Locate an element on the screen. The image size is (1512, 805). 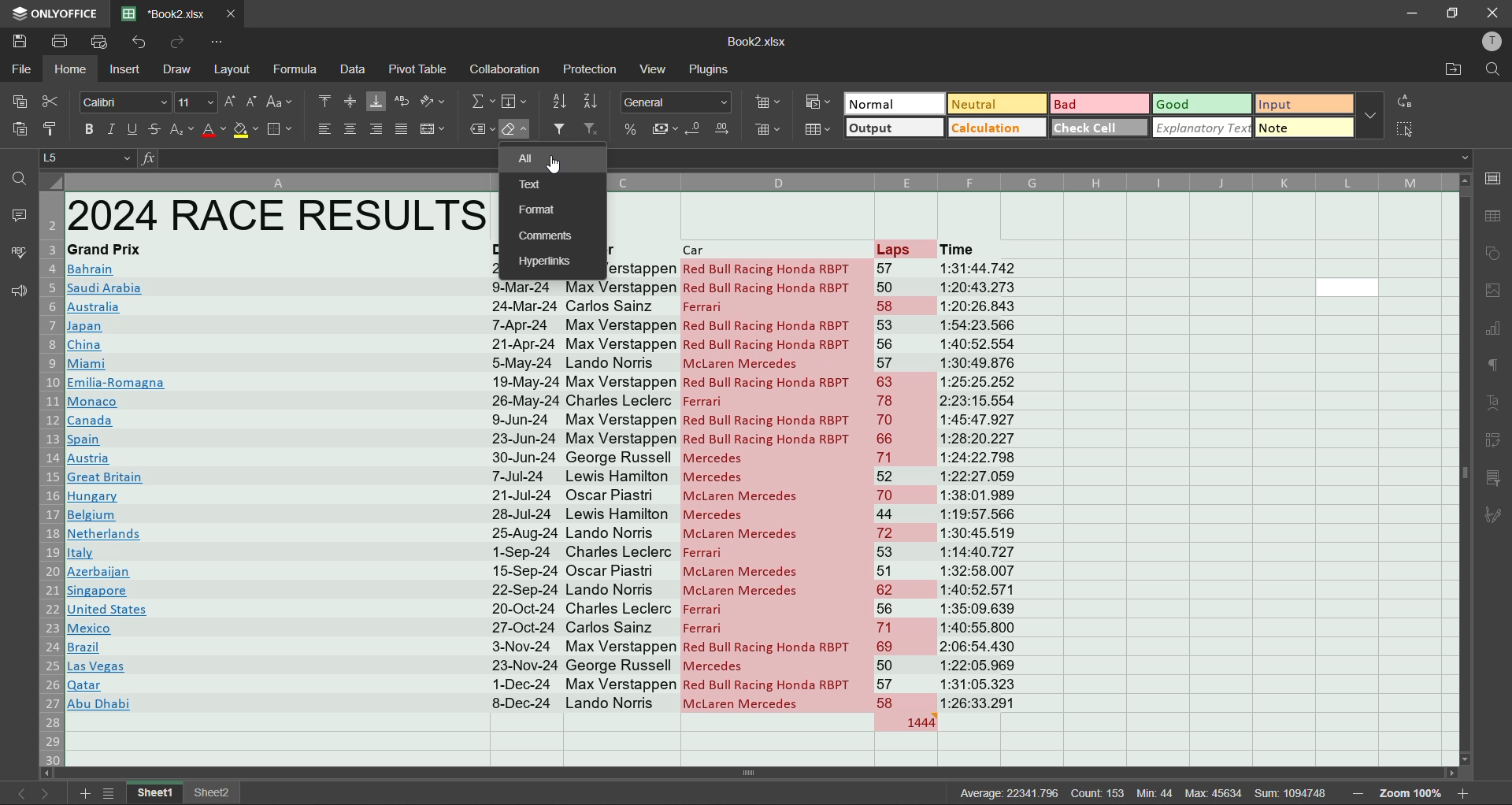
draw is located at coordinates (176, 69).